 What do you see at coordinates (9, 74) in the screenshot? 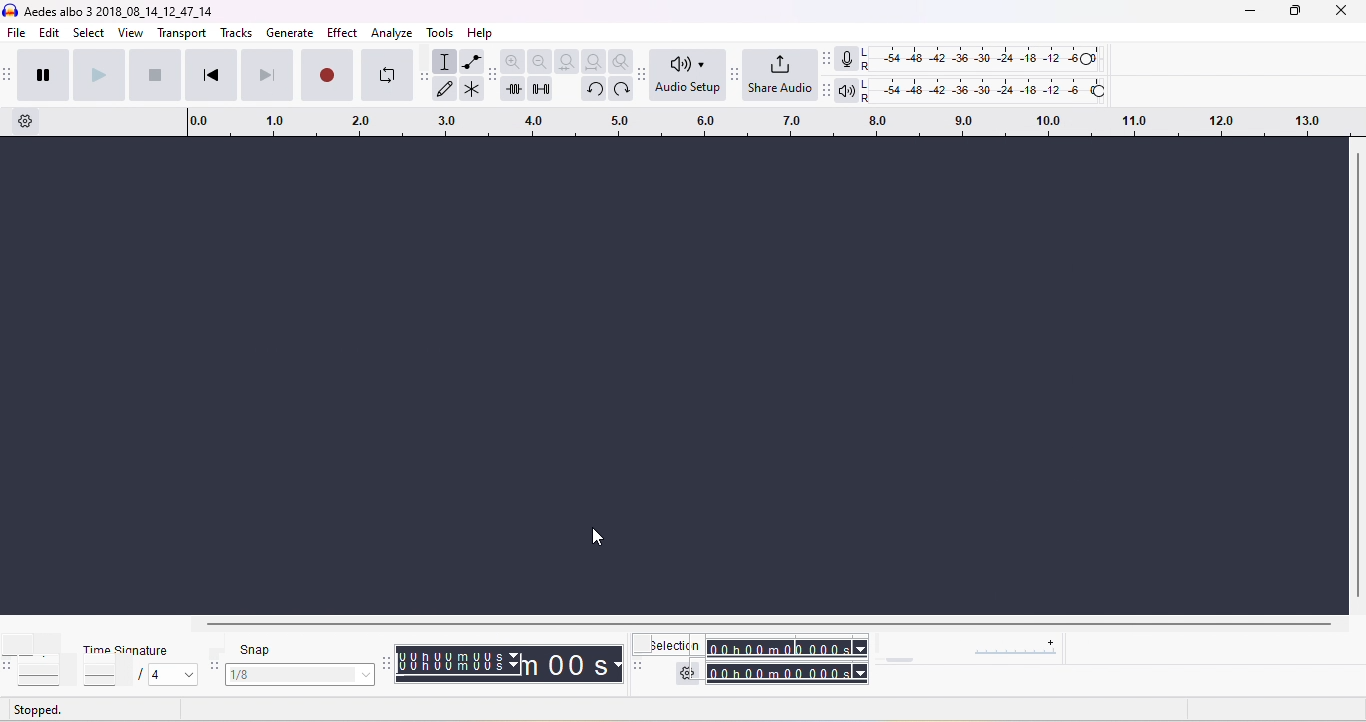
I see `audacity transport toolbar` at bounding box center [9, 74].